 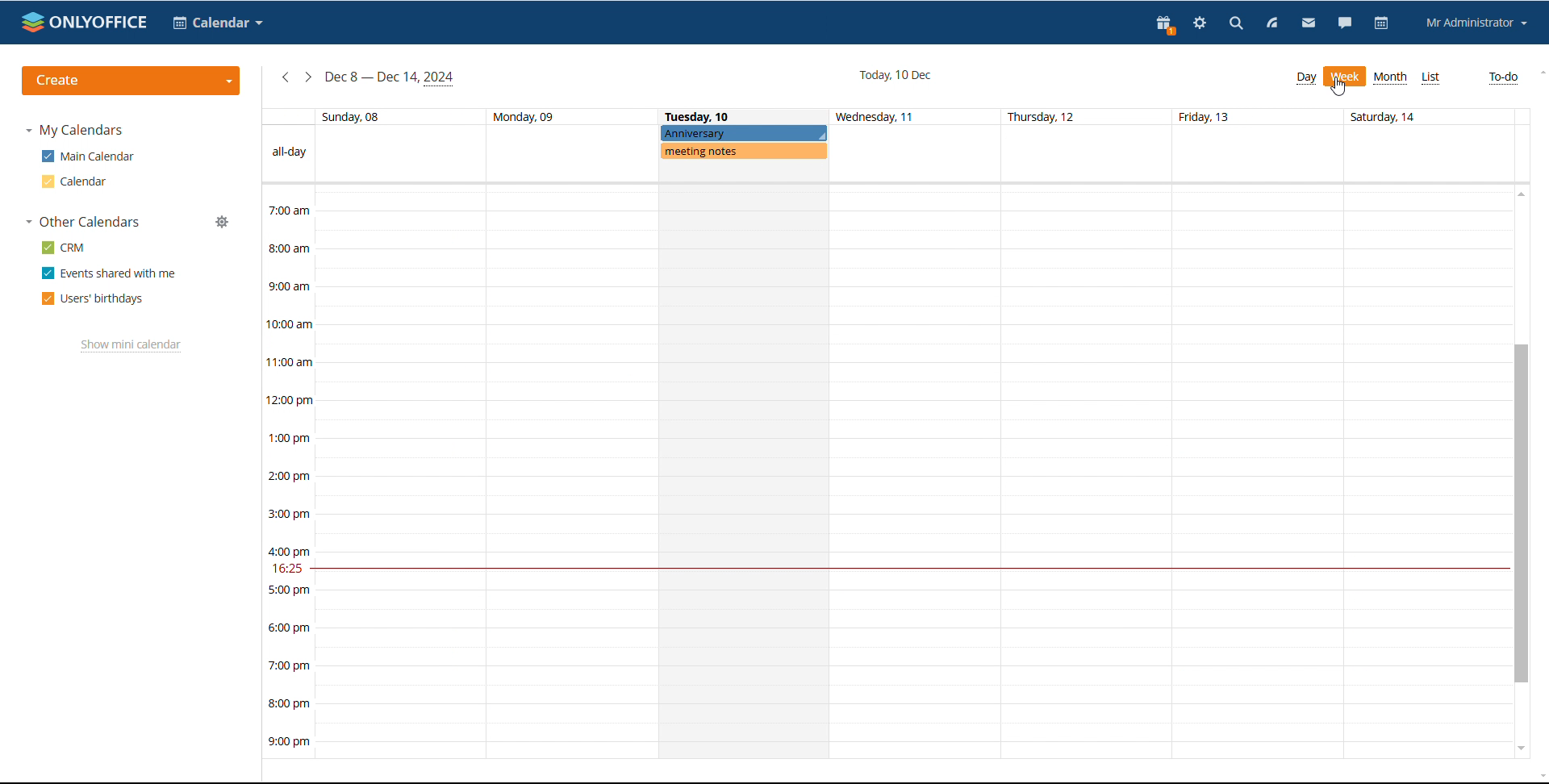 What do you see at coordinates (1234, 24) in the screenshot?
I see `search` at bounding box center [1234, 24].